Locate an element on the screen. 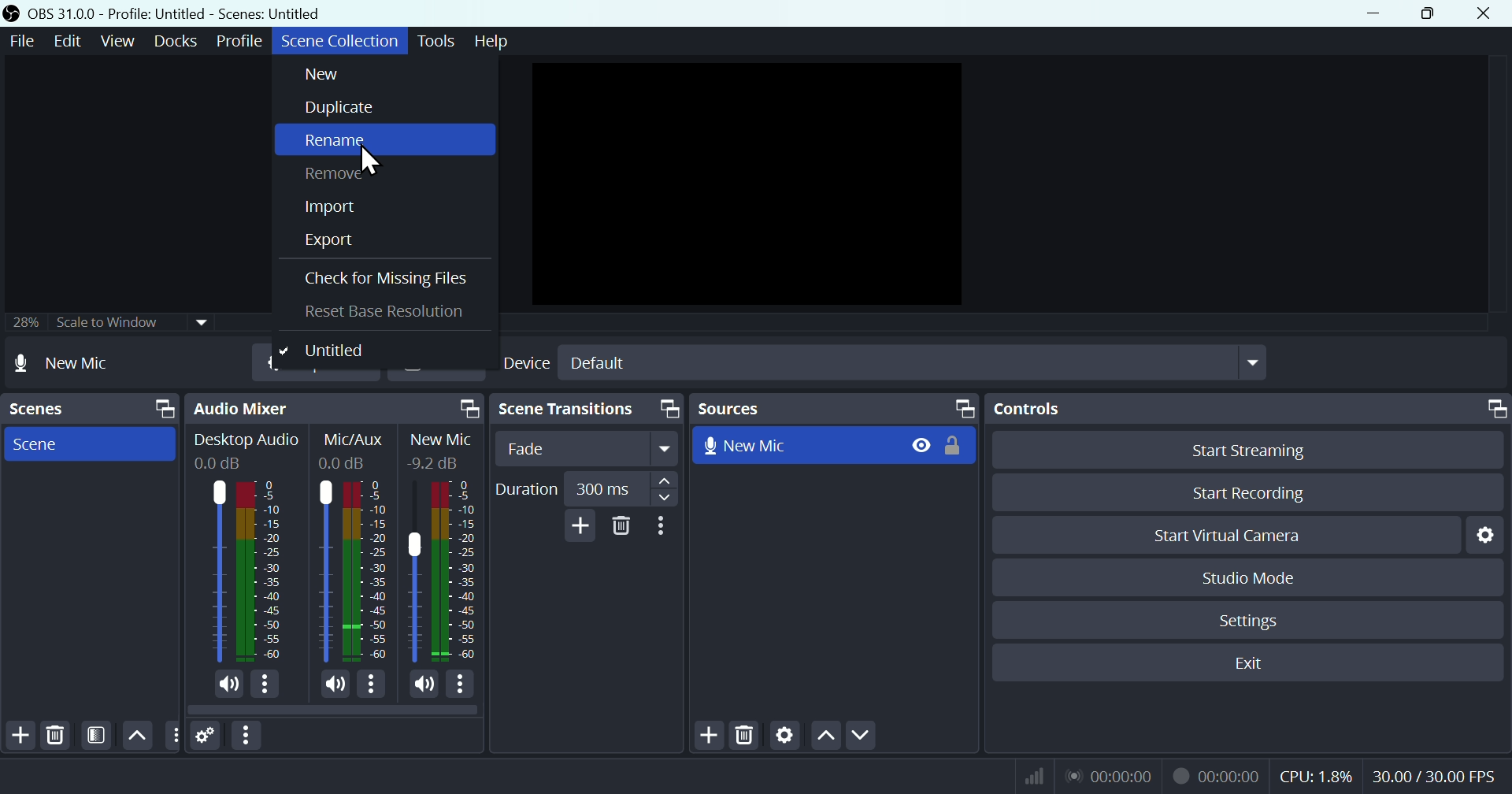 The image size is (1512, 794). New Mic is located at coordinates (457, 573).